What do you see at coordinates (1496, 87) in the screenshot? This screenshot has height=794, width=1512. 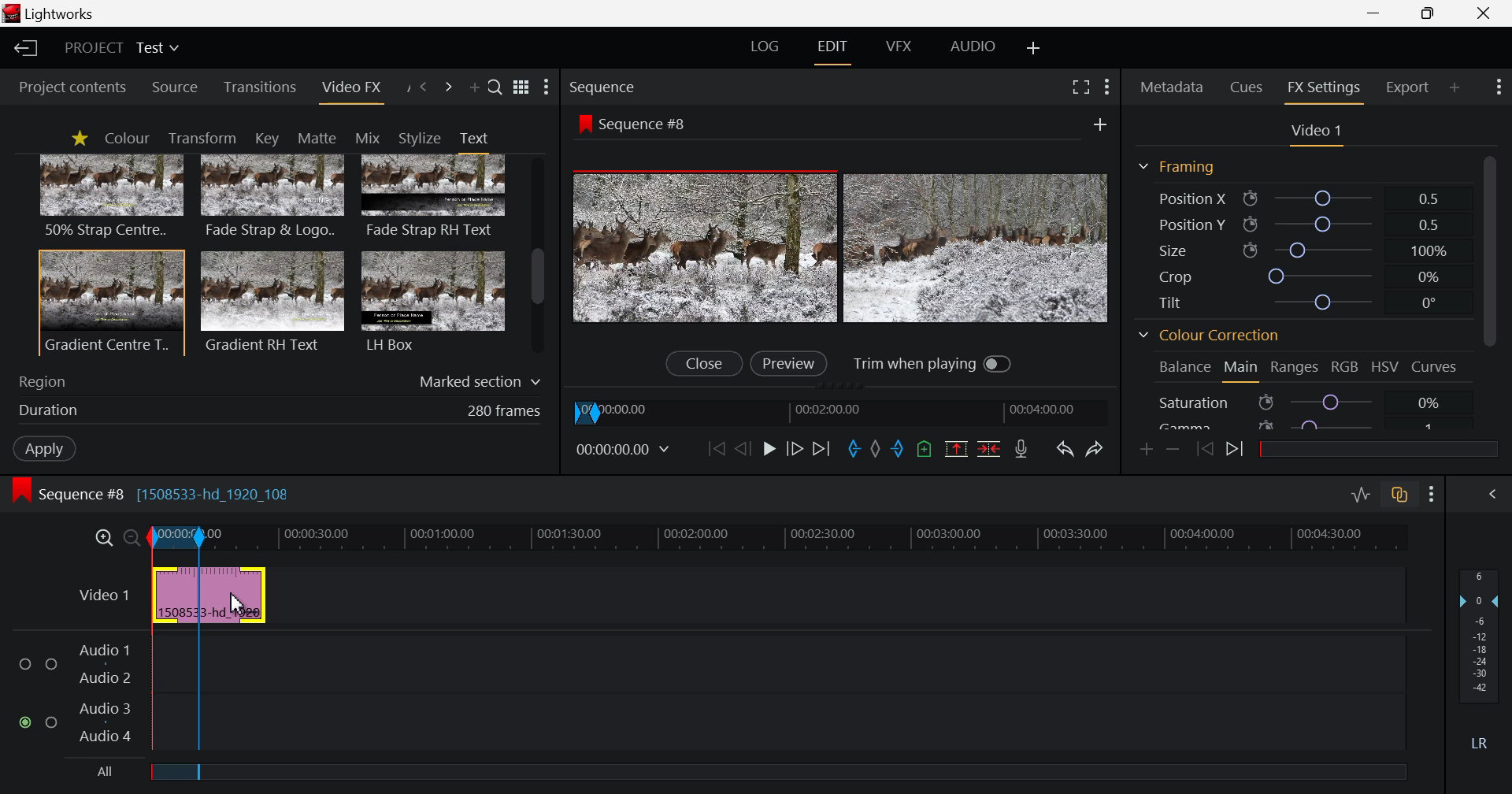 I see `Show Settings` at bounding box center [1496, 87].